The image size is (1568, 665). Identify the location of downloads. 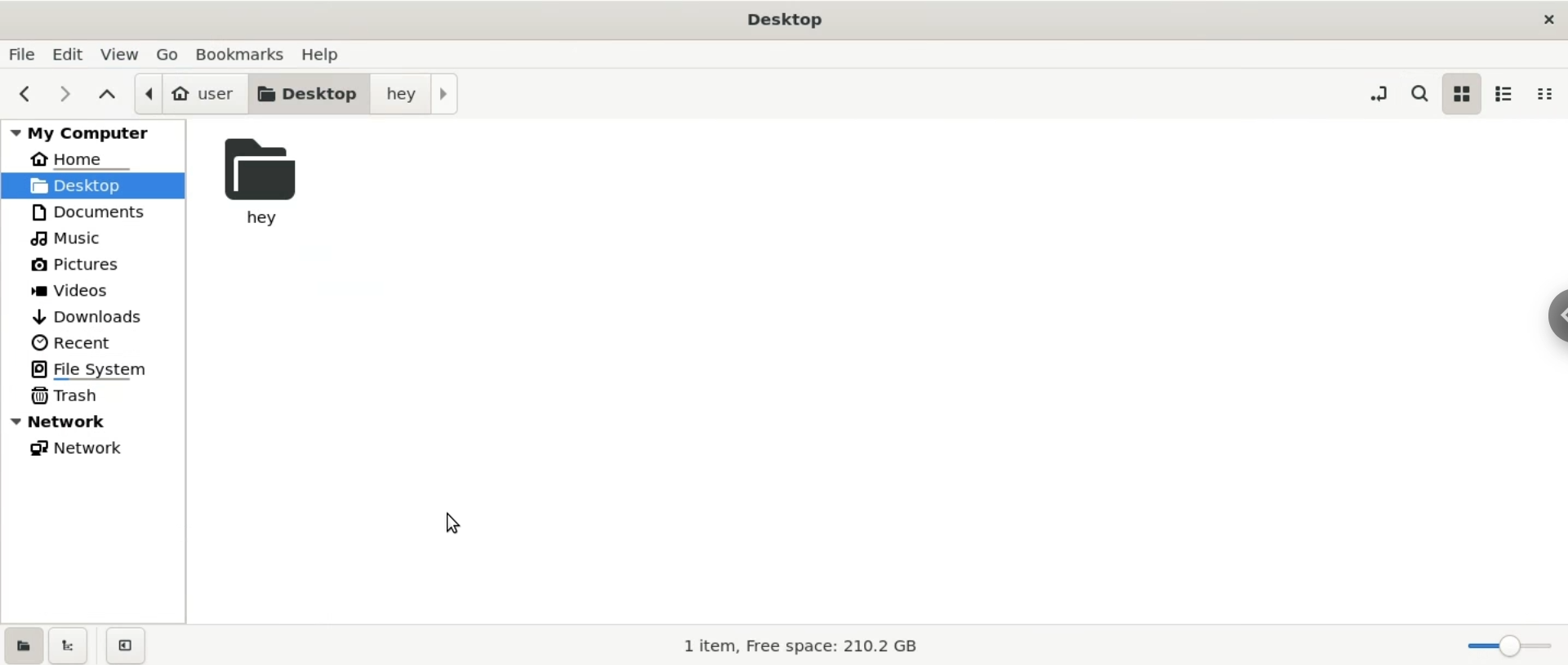
(103, 315).